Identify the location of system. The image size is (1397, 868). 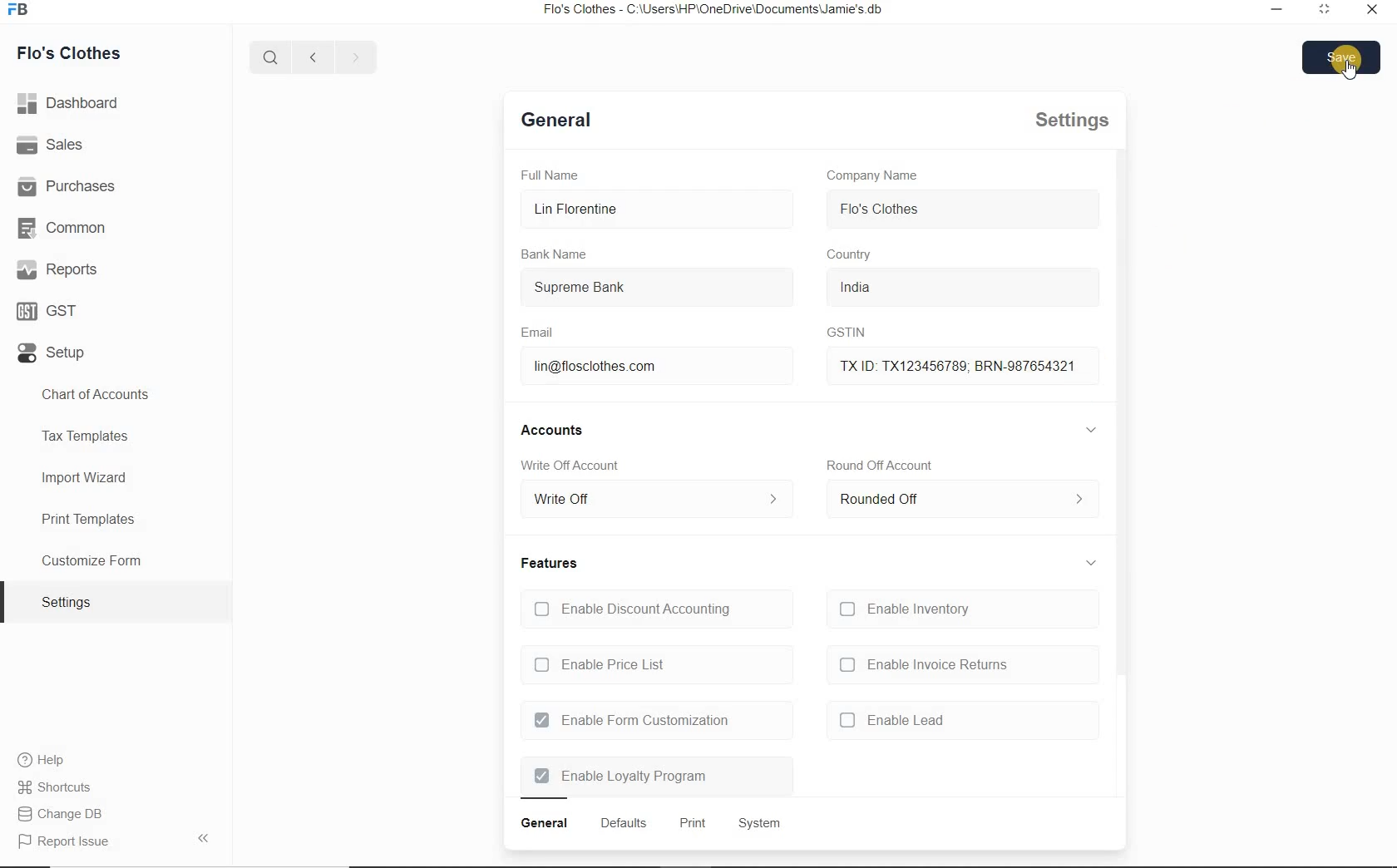
(758, 822).